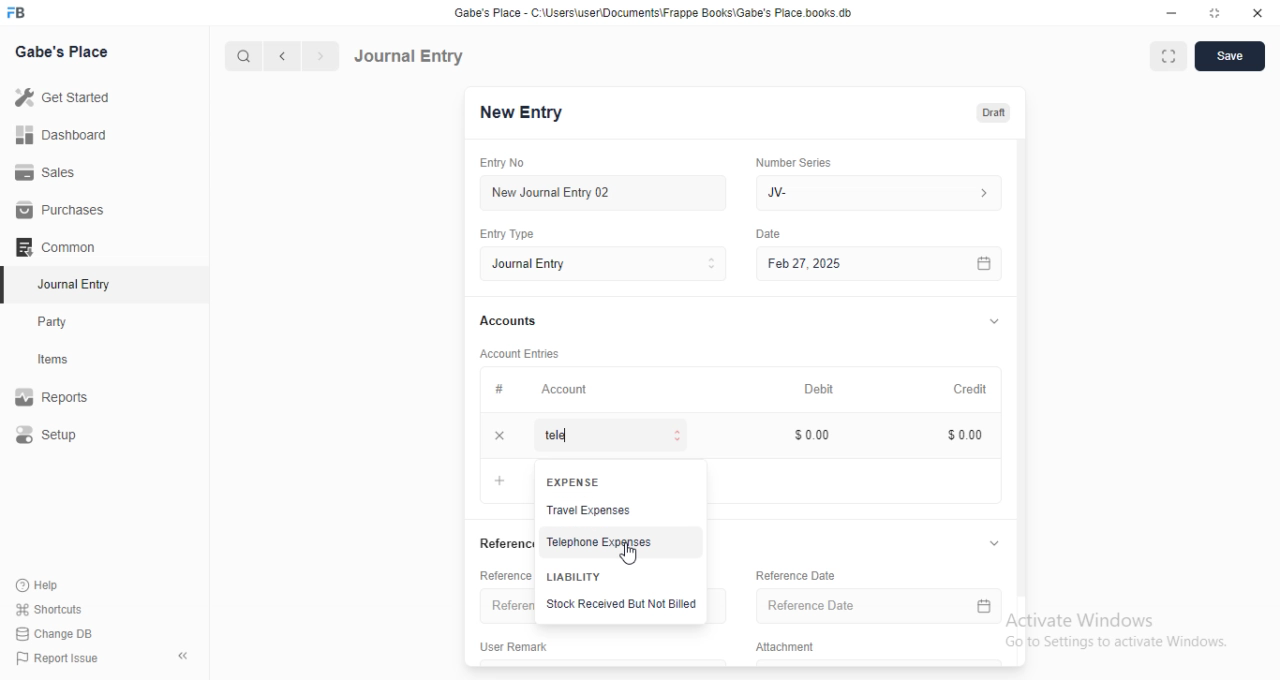 Image resolution: width=1280 pixels, height=680 pixels. What do you see at coordinates (527, 114) in the screenshot?
I see `New entry` at bounding box center [527, 114].